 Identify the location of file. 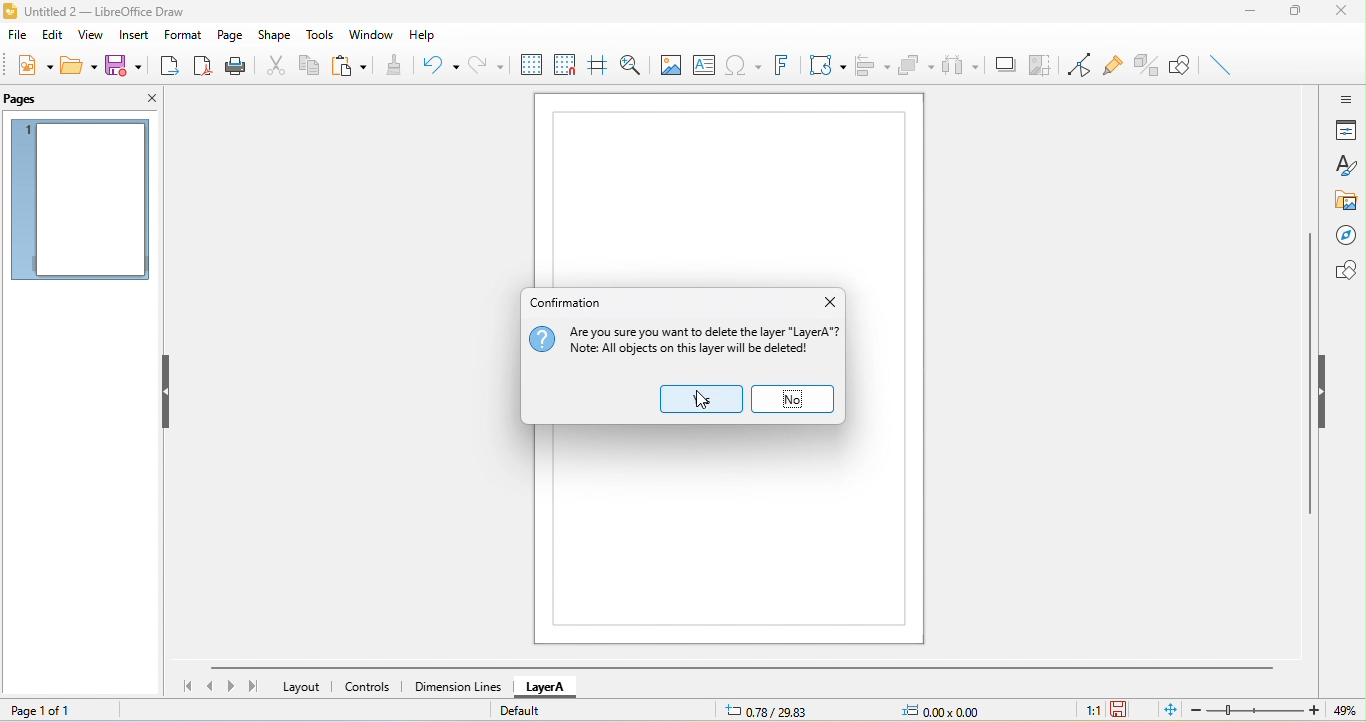
(19, 33).